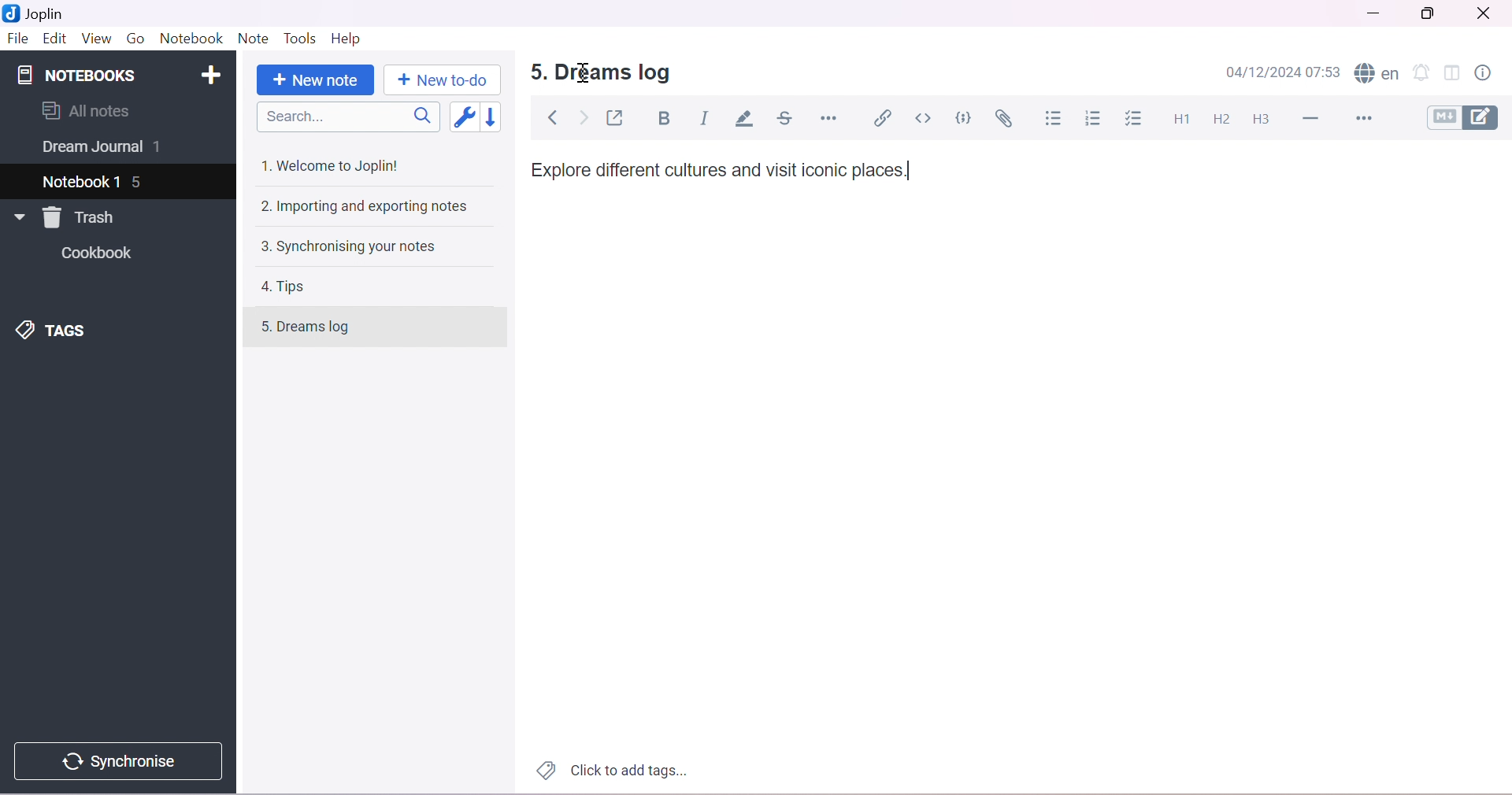  What do you see at coordinates (252, 39) in the screenshot?
I see `Note` at bounding box center [252, 39].